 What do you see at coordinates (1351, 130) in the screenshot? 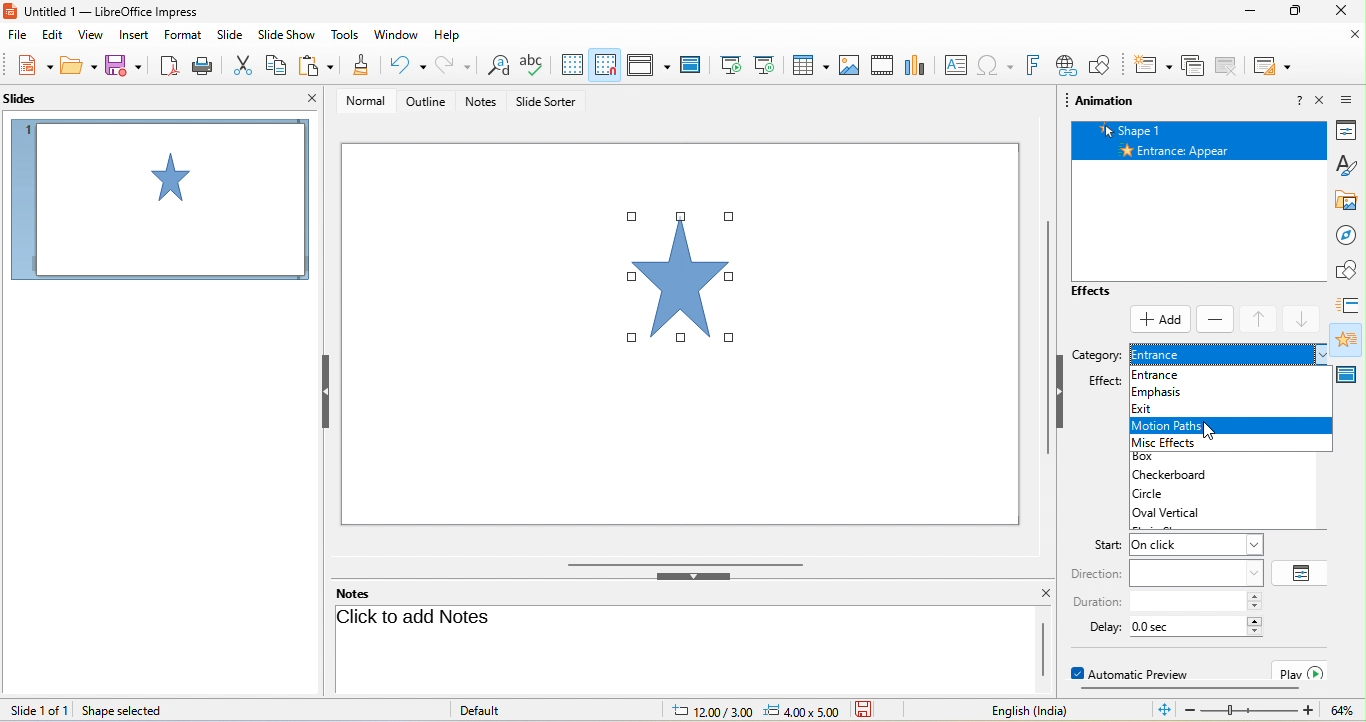
I see `properties` at bounding box center [1351, 130].